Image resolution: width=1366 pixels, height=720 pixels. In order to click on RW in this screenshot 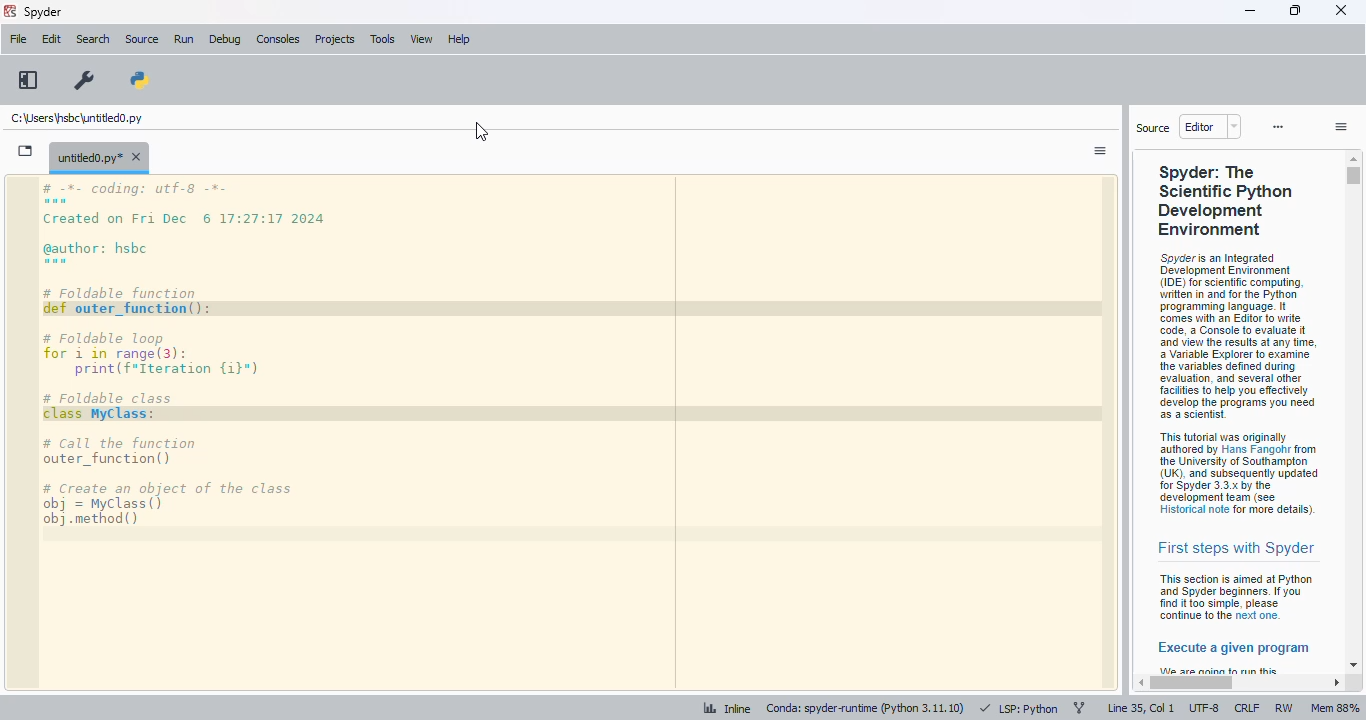, I will do `click(1284, 708)`.